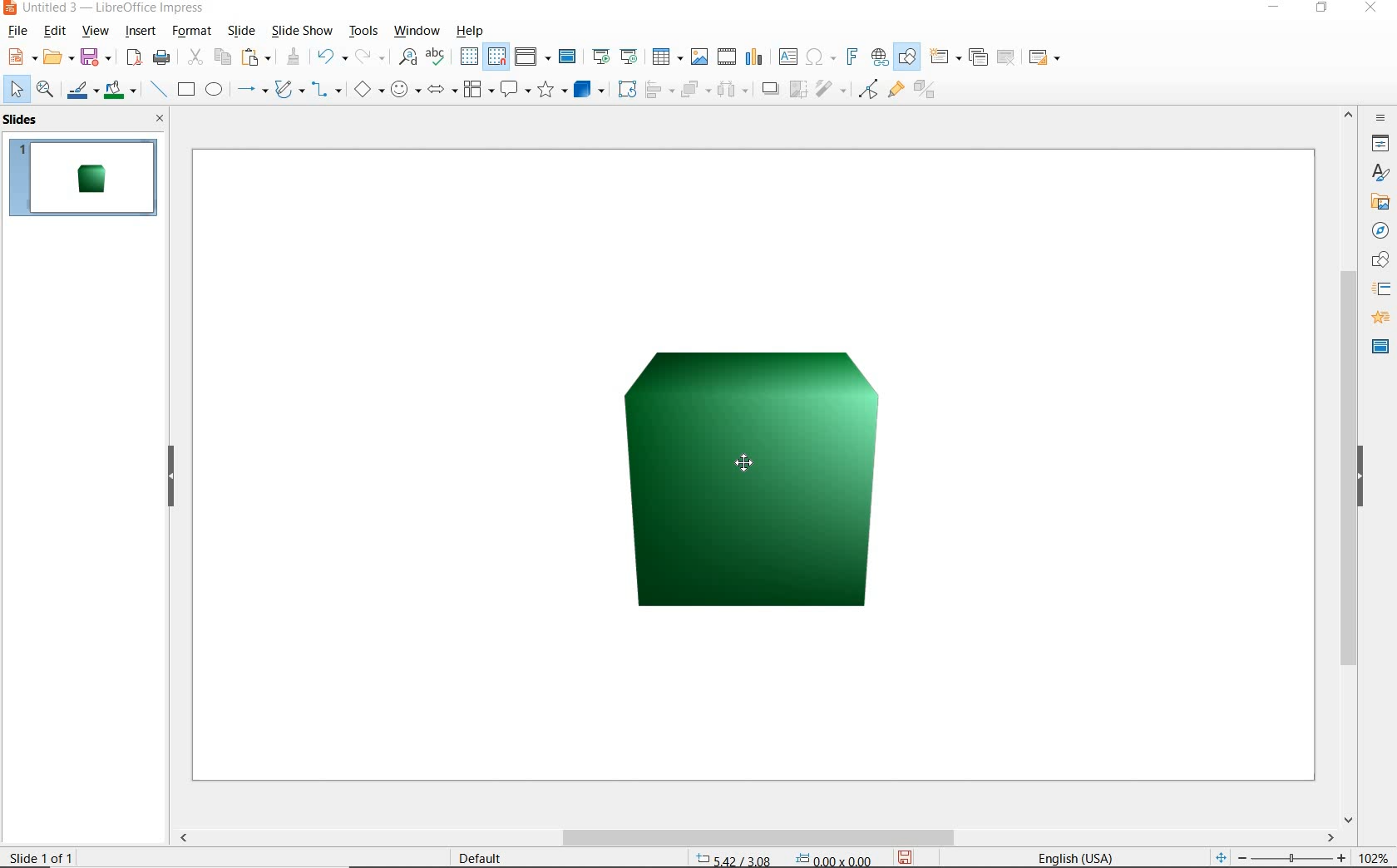  What do you see at coordinates (1378, 260) in the screenshot?
I see `SHAPES` at bounding box center [1378, 260].